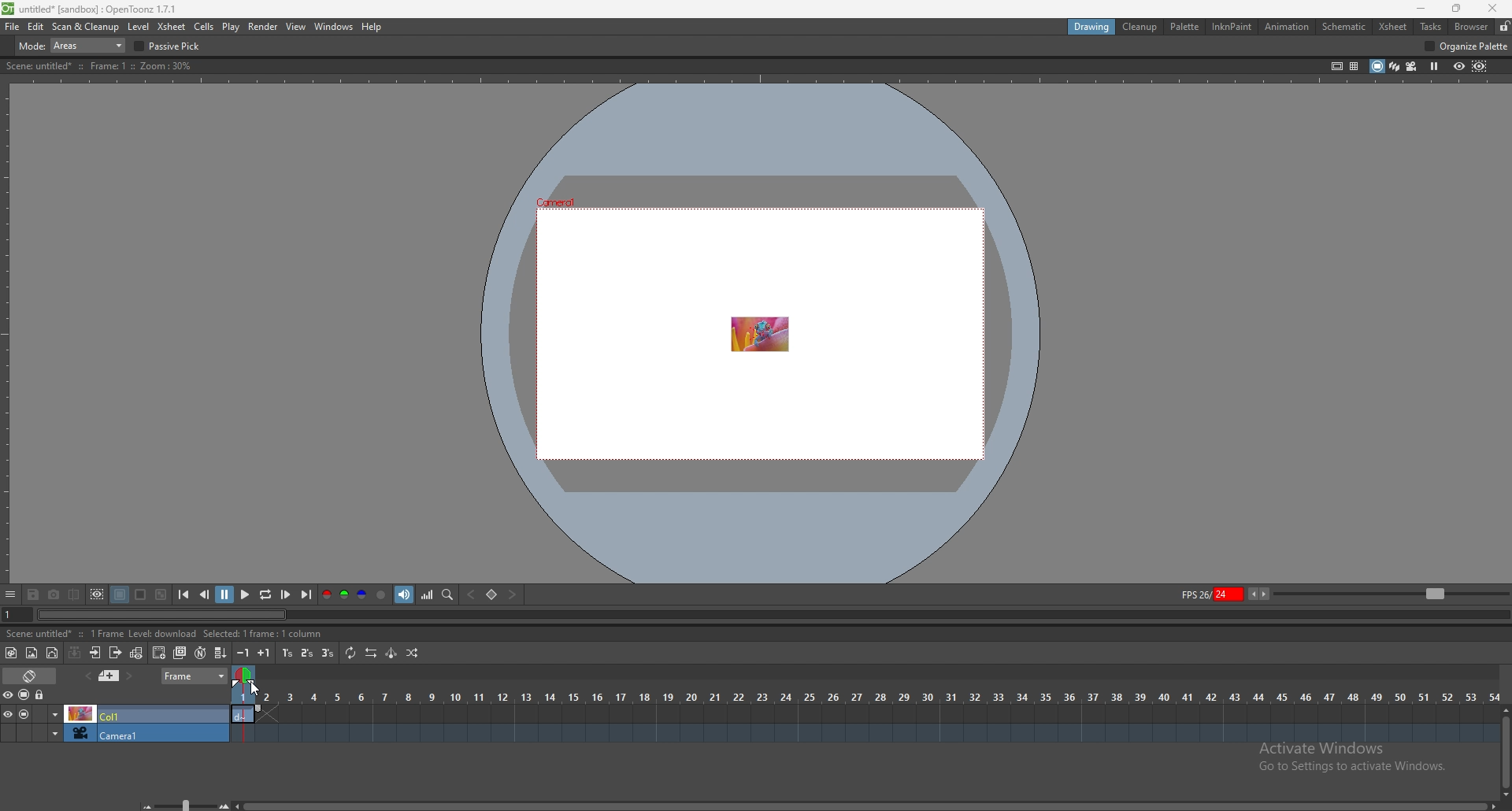  Describe the element at coordinates (109, 676) in the screenshot. I see `previous memo` at that location.